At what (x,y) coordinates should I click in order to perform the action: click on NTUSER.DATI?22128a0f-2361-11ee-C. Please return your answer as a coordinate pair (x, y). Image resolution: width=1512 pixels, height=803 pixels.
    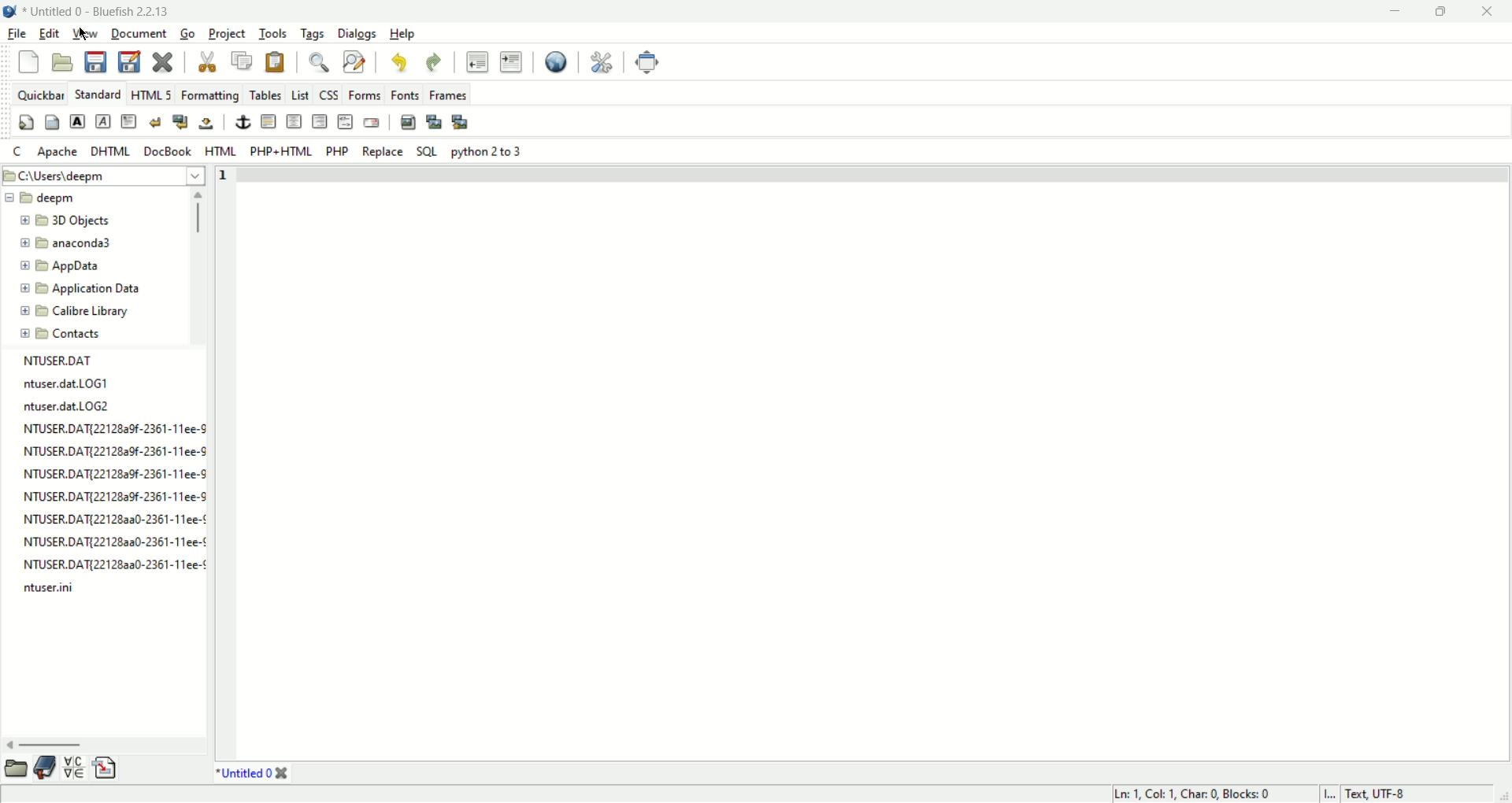
    Looking at the image, I should click on (120, 472).